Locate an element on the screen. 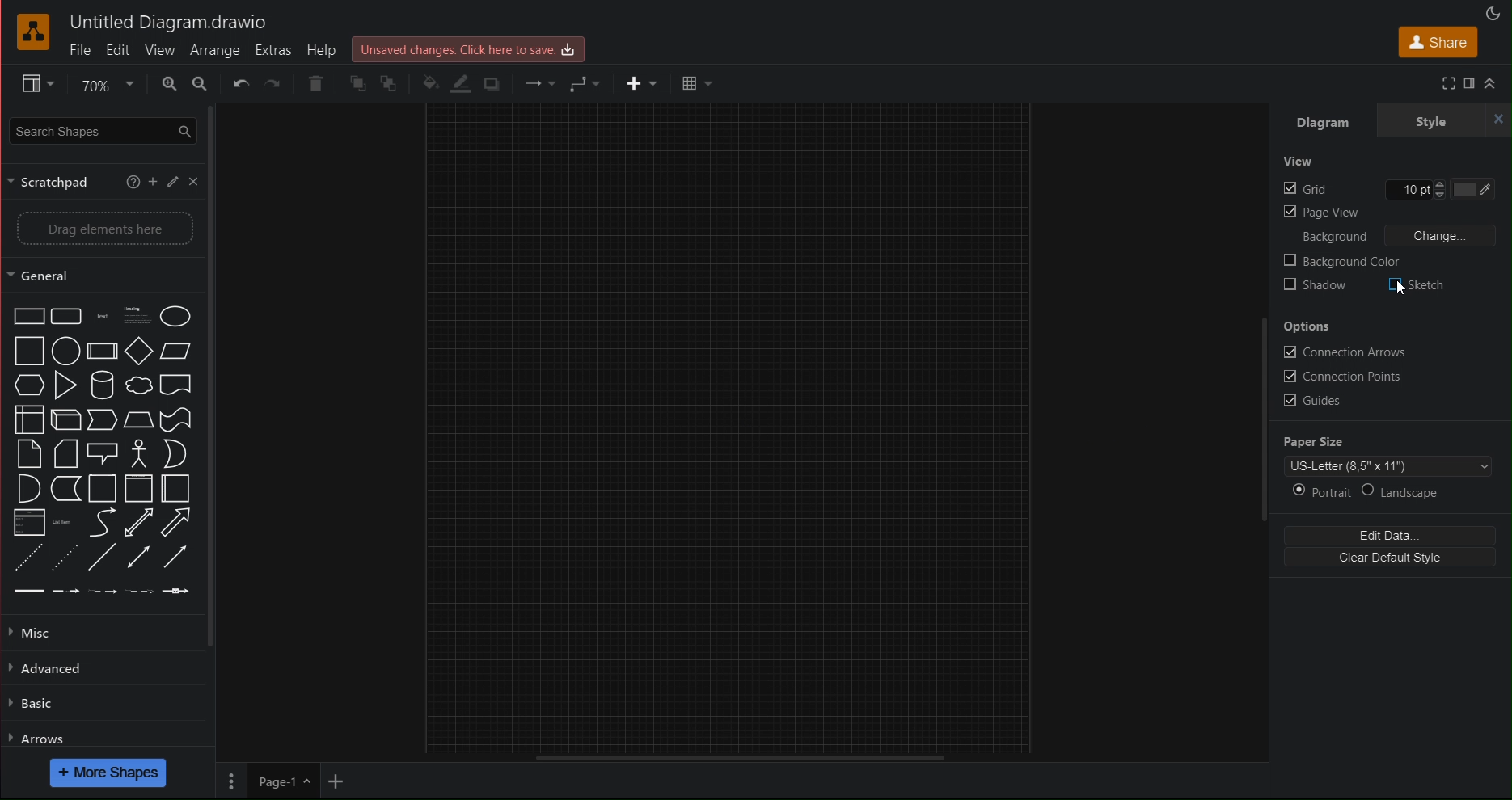 The image size is (1512, 800). Scrollbar is located at coordinates (737, 756).